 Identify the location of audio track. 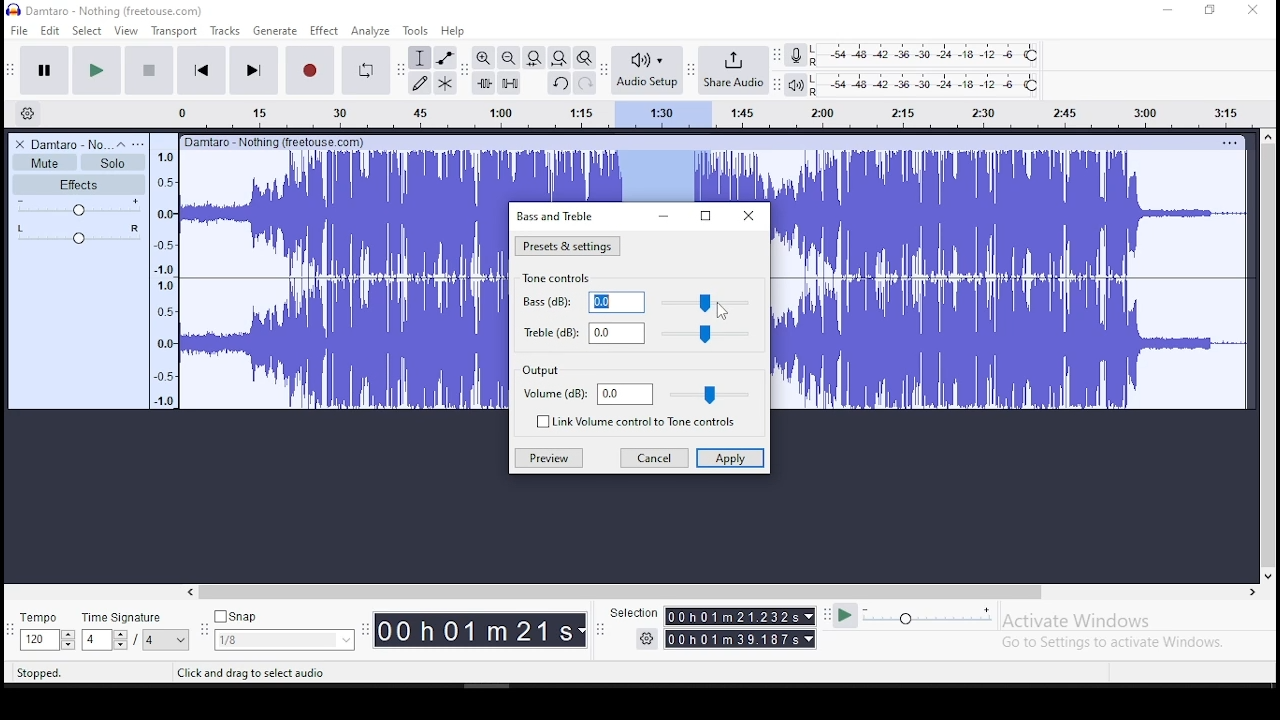
(1011, 213).